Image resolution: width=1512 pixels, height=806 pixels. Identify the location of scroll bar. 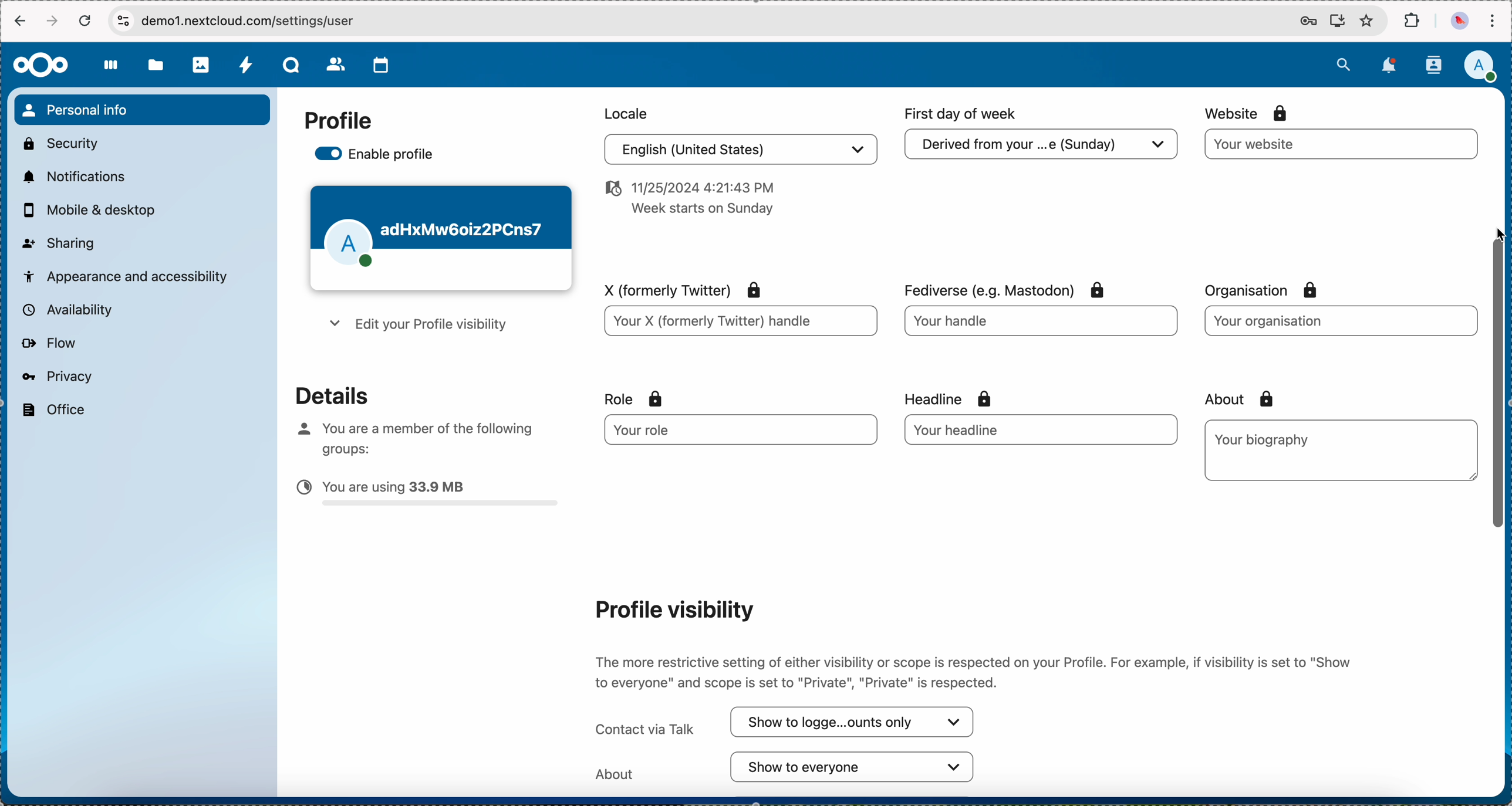
(1500, 398).